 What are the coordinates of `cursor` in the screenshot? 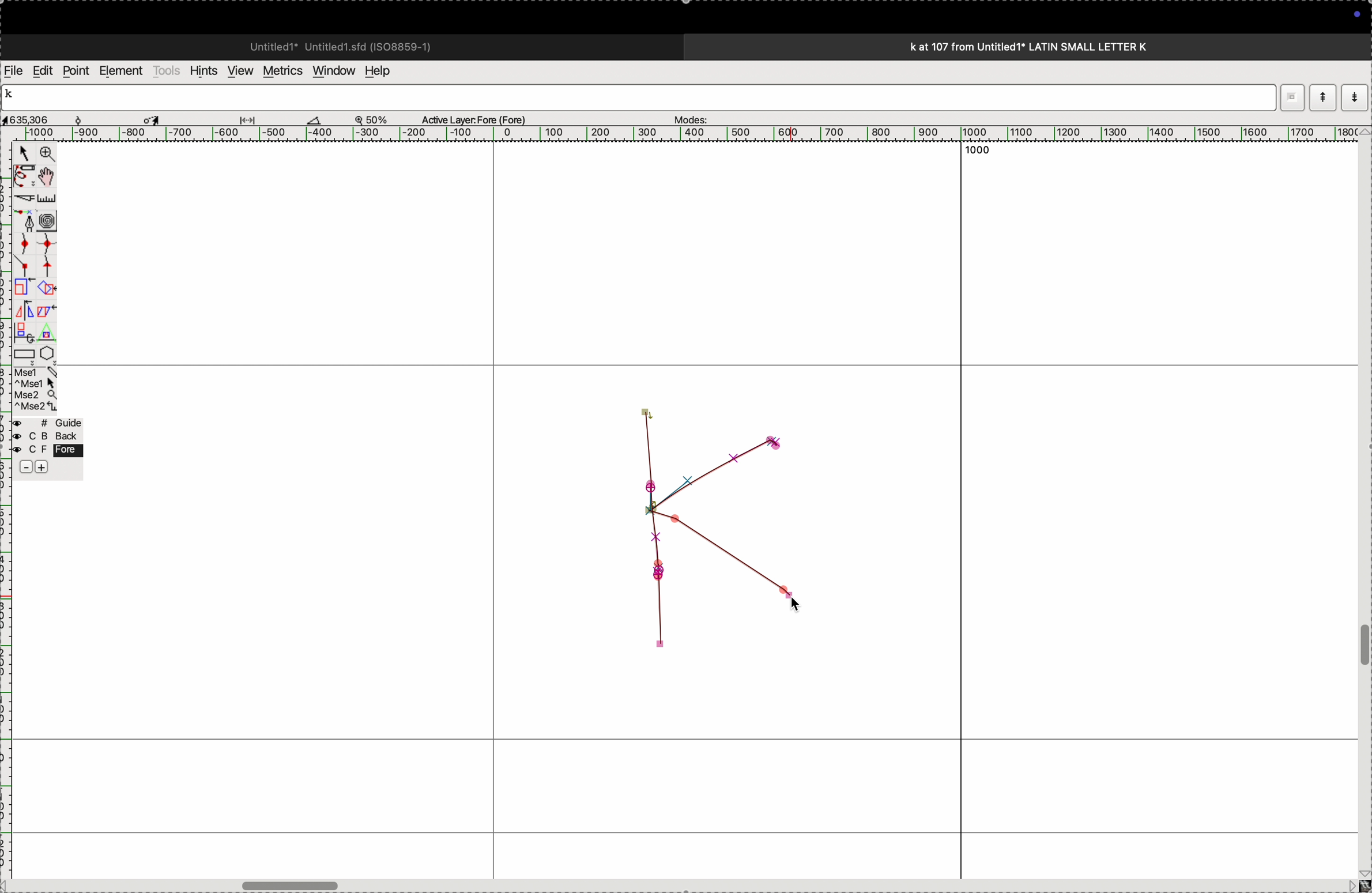 It's located at (154, 118).